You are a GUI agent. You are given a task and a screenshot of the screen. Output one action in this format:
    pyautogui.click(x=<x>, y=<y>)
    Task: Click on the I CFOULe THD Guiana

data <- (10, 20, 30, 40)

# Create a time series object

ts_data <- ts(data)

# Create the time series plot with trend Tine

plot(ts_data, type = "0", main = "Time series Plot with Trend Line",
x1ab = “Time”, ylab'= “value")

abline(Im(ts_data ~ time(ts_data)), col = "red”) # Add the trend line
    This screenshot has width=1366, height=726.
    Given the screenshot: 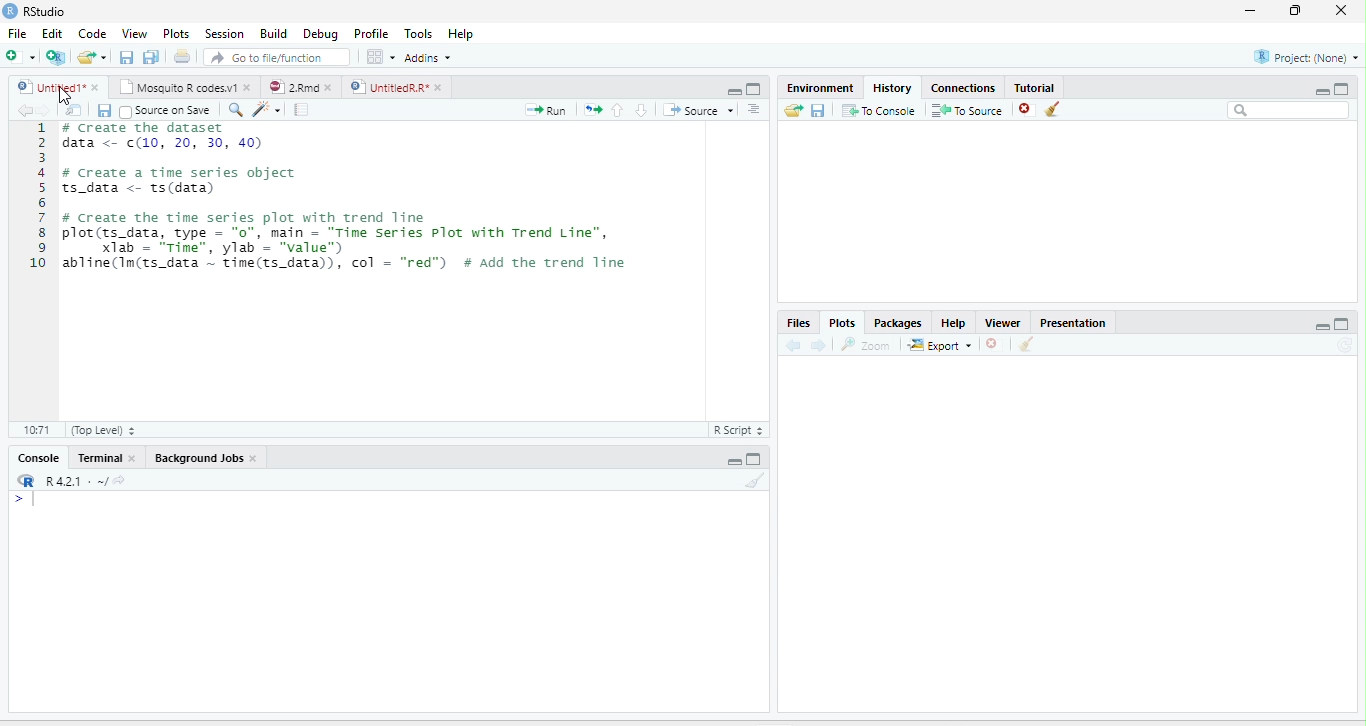 What is the action you would take?
    pyautogui.click(x=347, y=199)
    